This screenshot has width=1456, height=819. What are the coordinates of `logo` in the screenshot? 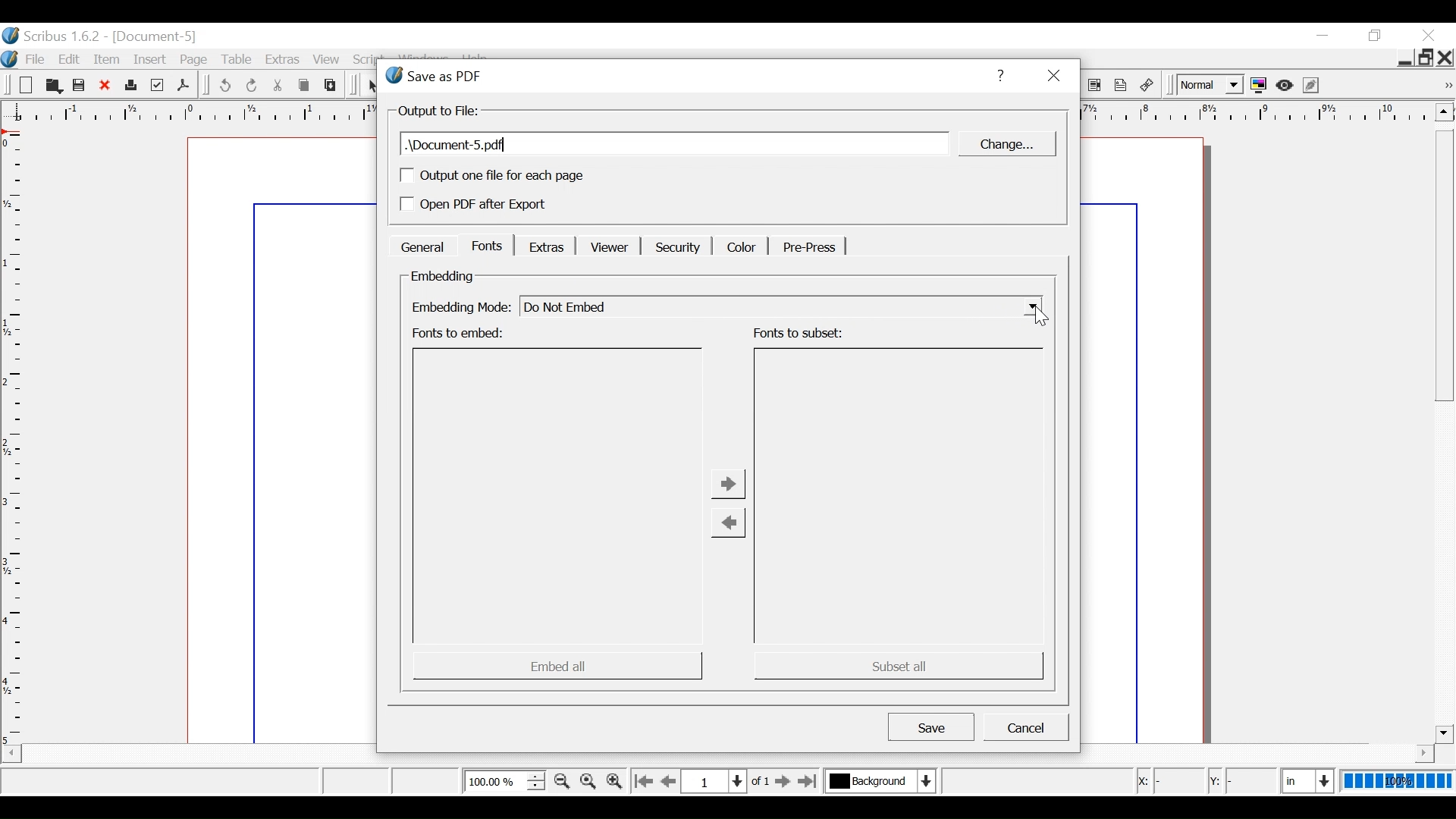 It's located at (9, 58).